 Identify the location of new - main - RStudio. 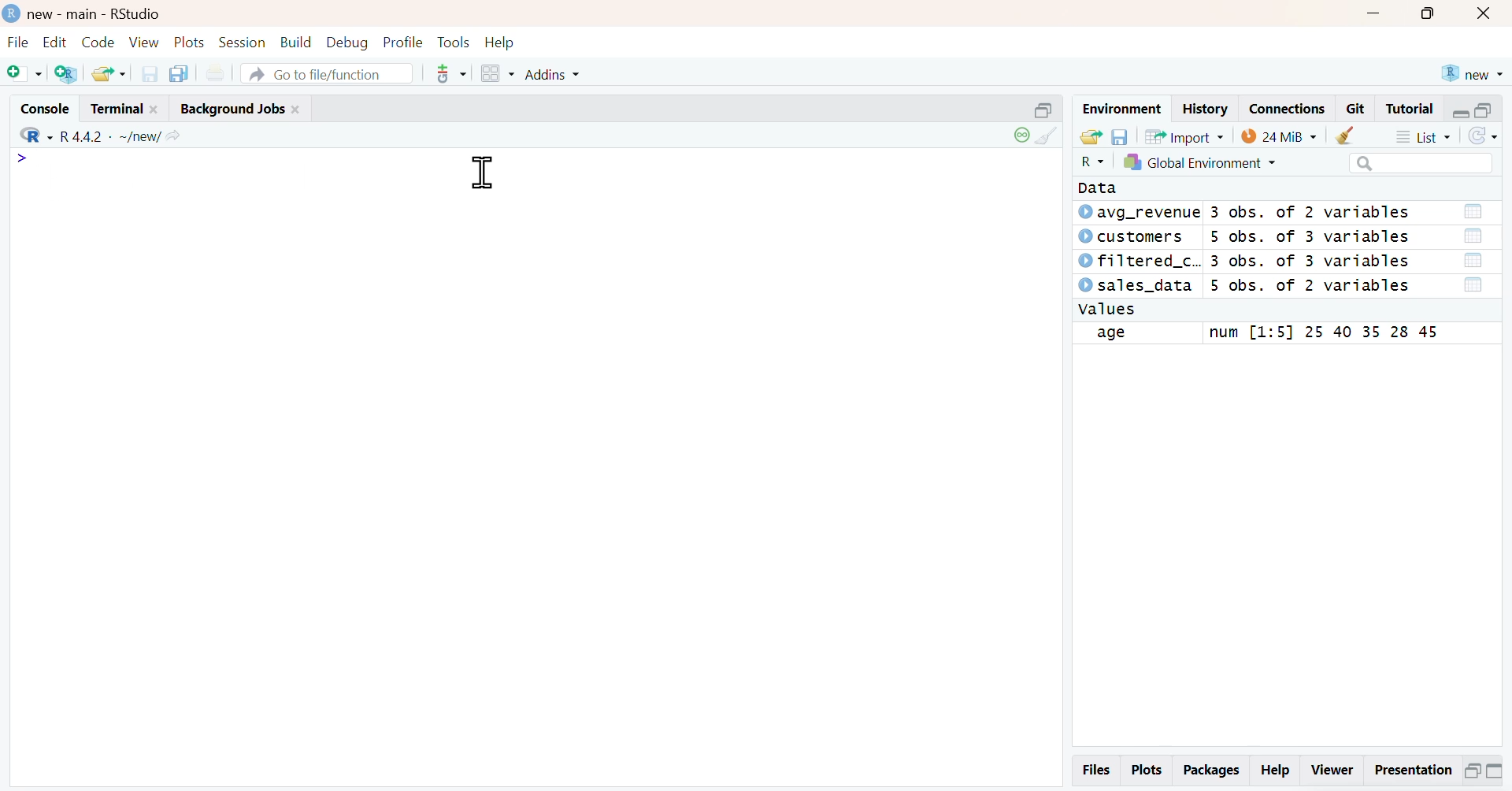
(95, 14).